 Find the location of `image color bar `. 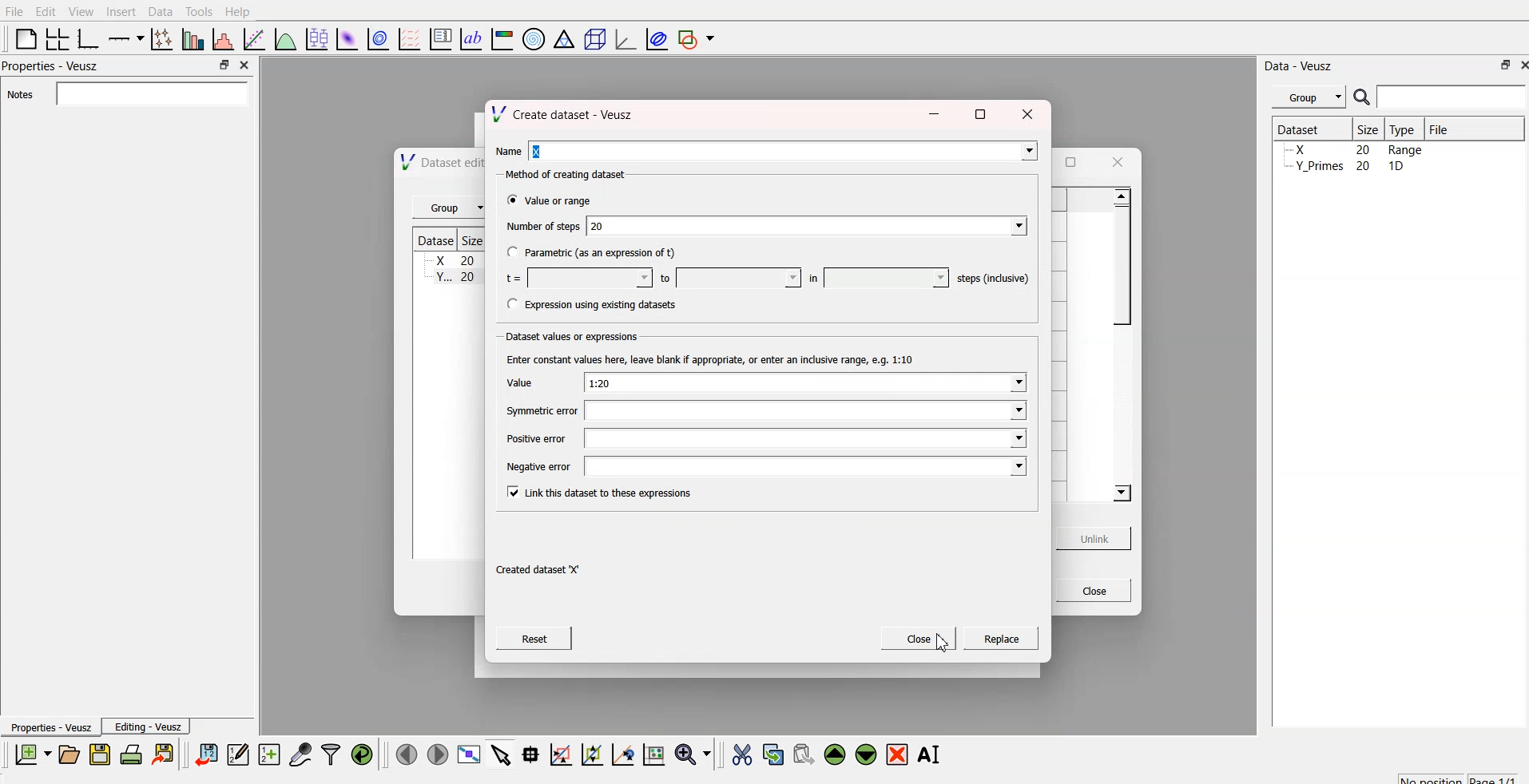

image color bar  is located at coordinates (502, 41).